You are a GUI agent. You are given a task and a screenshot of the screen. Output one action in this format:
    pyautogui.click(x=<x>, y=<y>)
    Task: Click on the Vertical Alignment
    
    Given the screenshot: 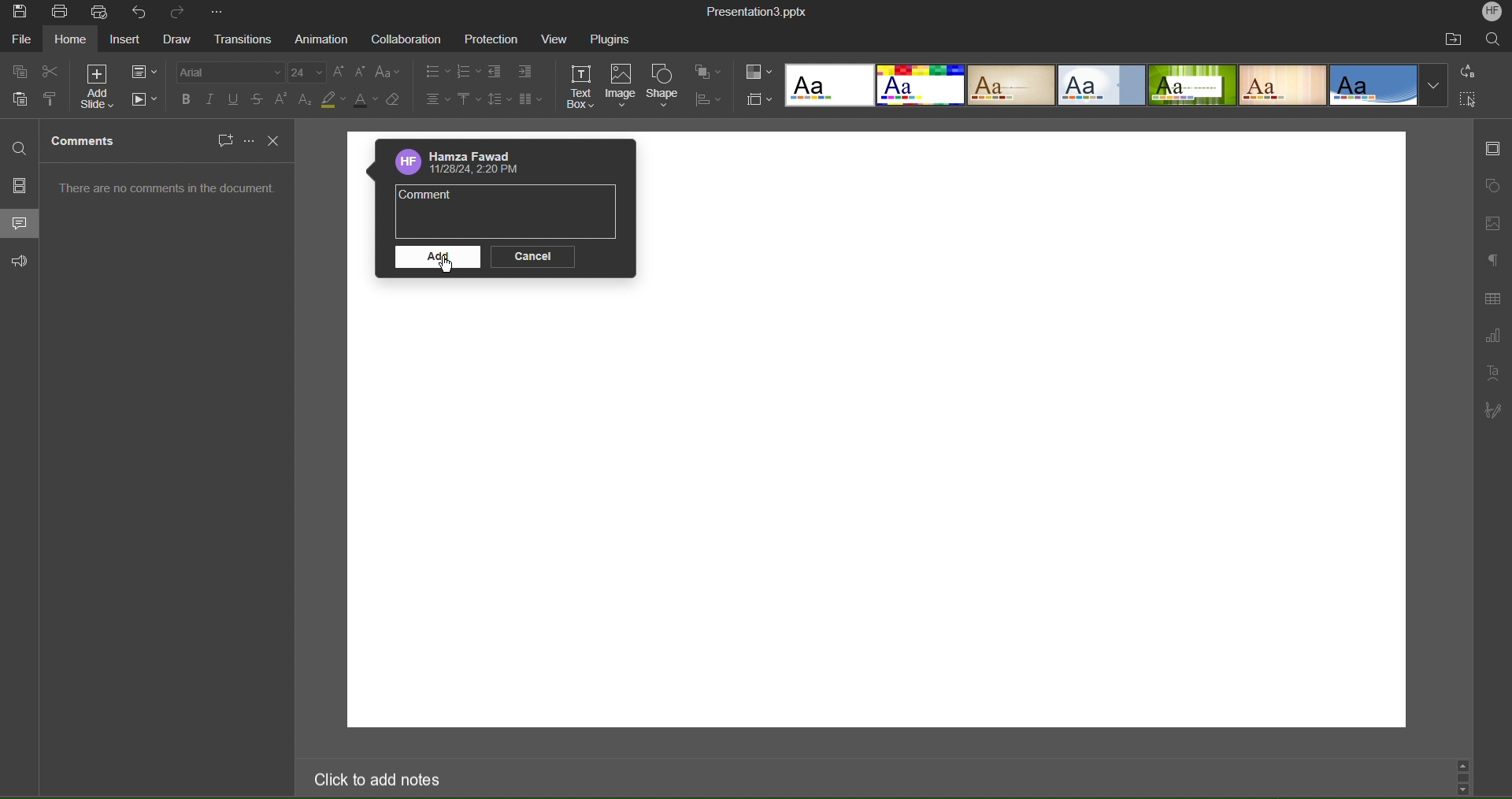 What is the action you would take?
    pyautogui.click(x=468, y=101)
    